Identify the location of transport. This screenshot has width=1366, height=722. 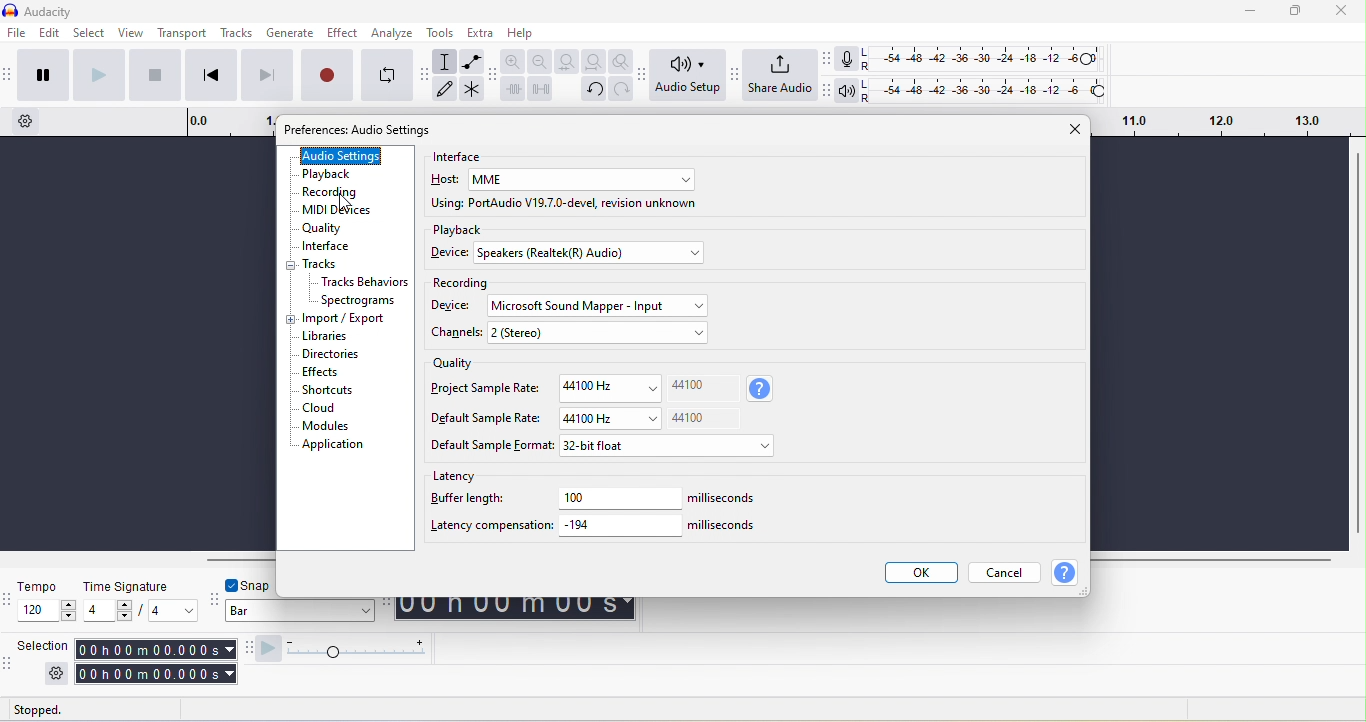
(182, 33).